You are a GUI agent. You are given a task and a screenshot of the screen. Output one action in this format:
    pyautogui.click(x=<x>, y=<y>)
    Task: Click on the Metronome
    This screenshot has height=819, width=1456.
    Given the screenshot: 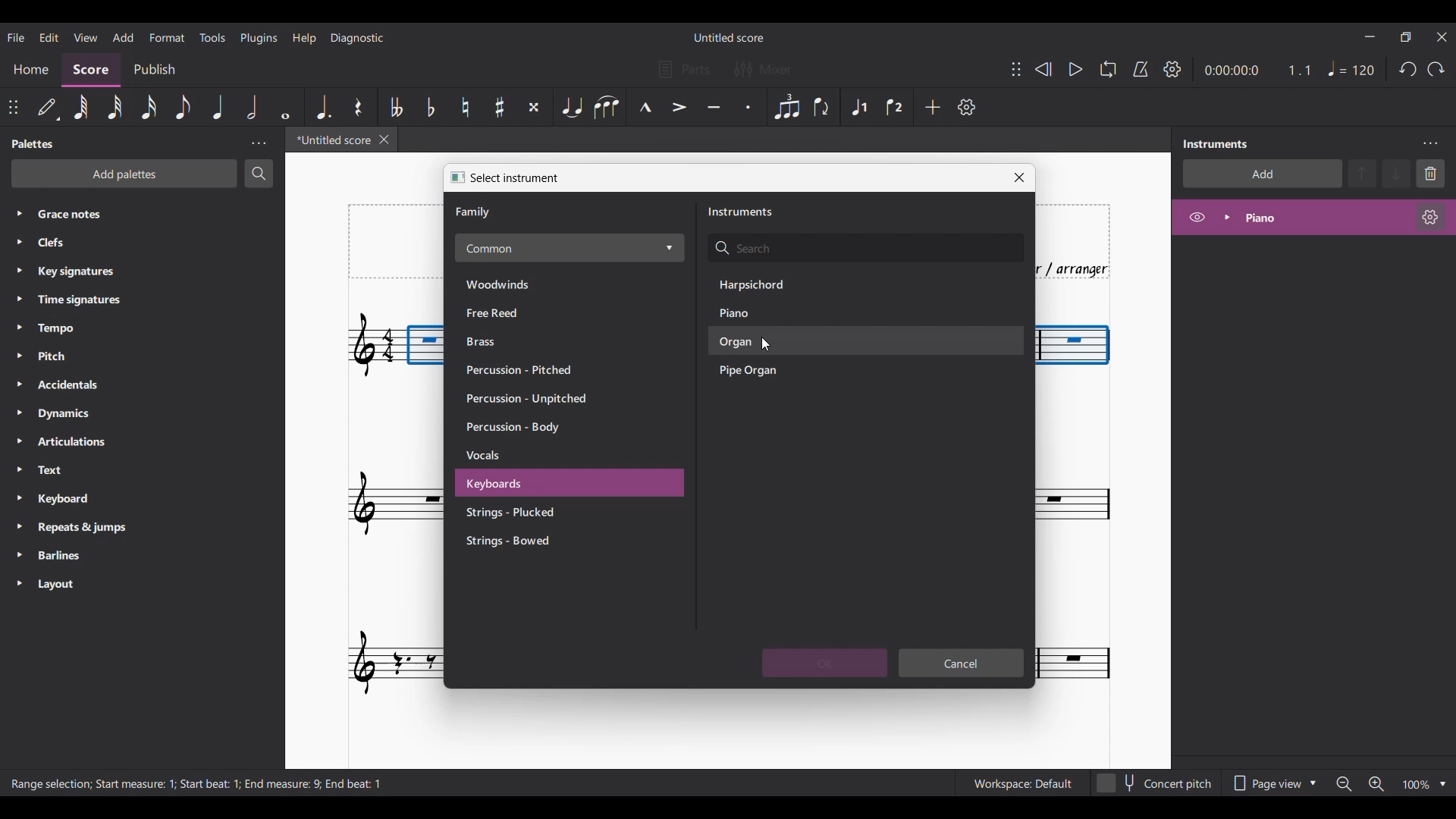 What is the action you would take?
    pyautogui.click(x=1141, y=69)
    